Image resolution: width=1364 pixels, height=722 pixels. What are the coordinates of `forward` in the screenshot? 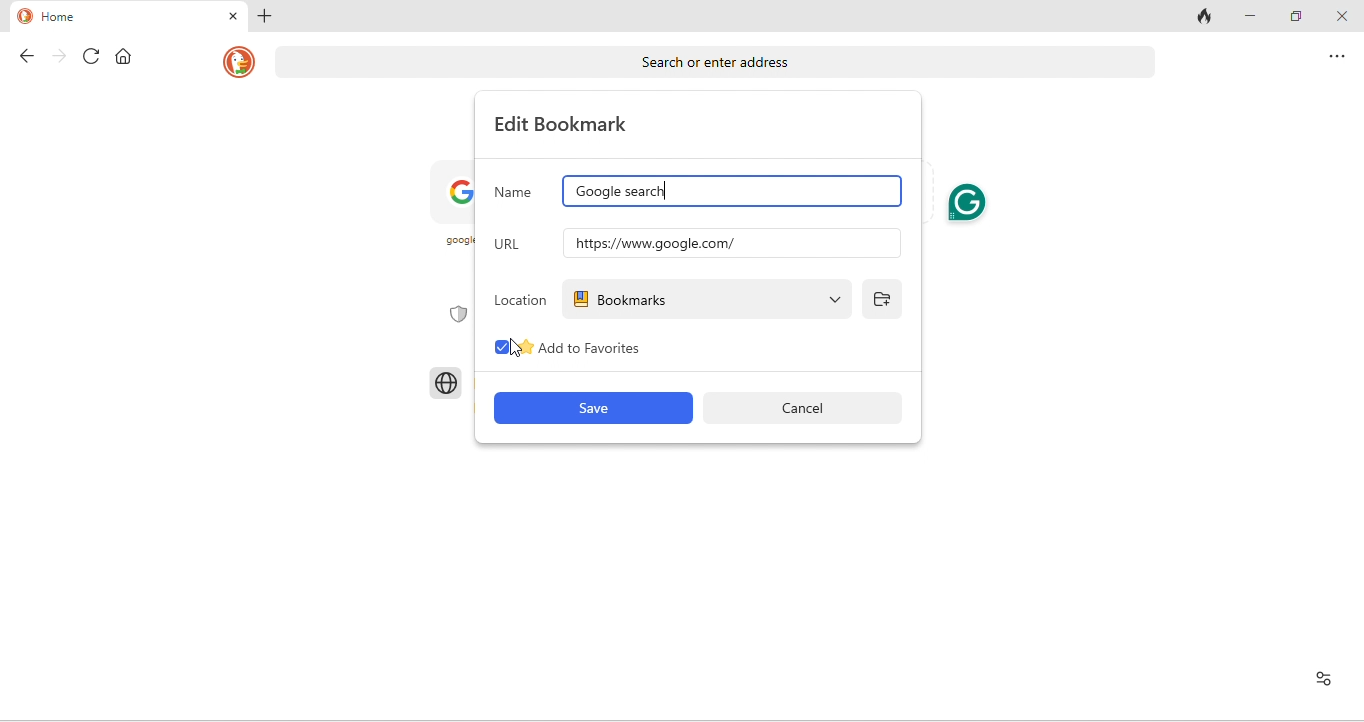 It's located at (52, 57).